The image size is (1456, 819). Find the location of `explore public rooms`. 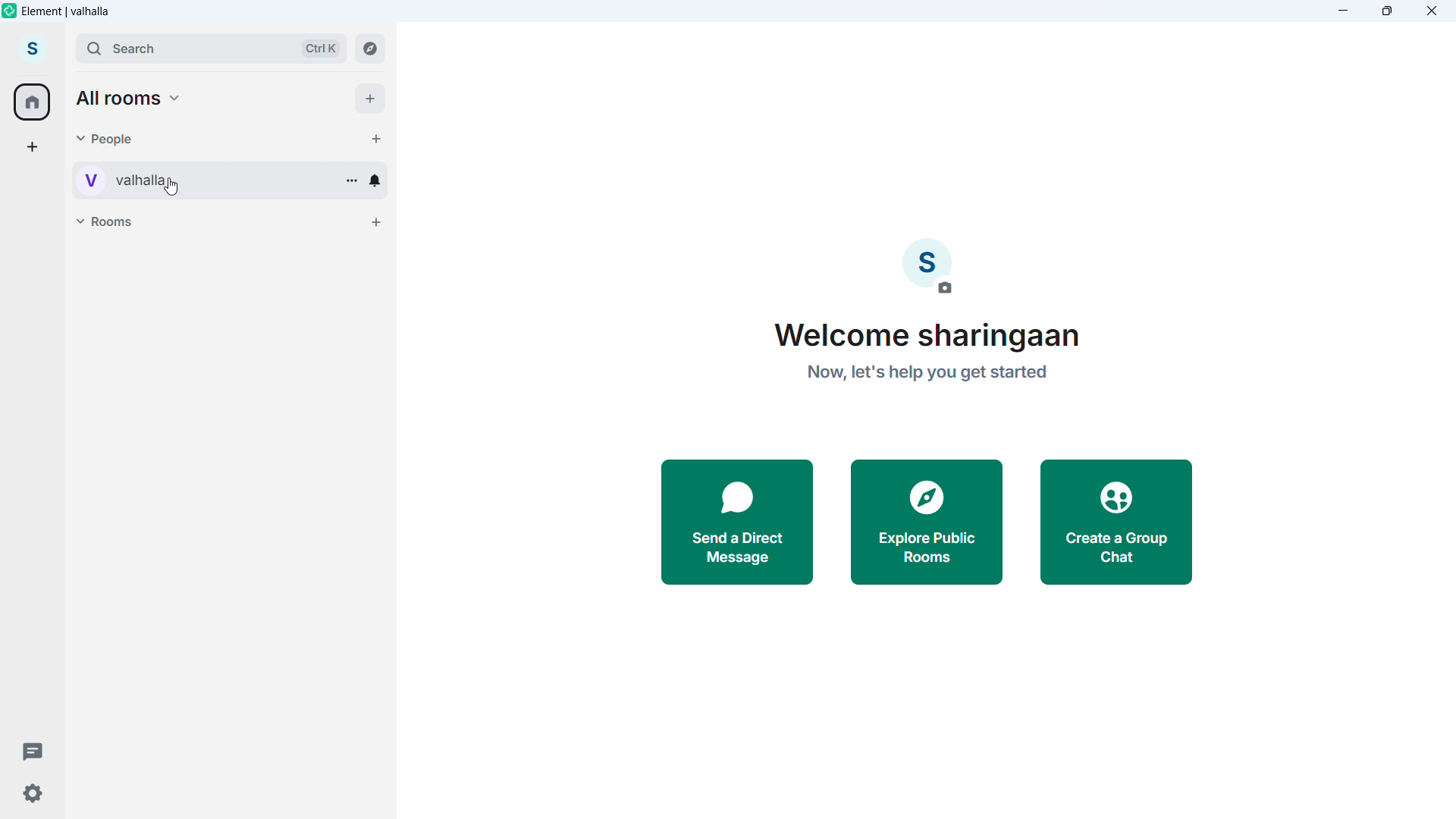

explore public rooms is located at coordinates (927, 521).